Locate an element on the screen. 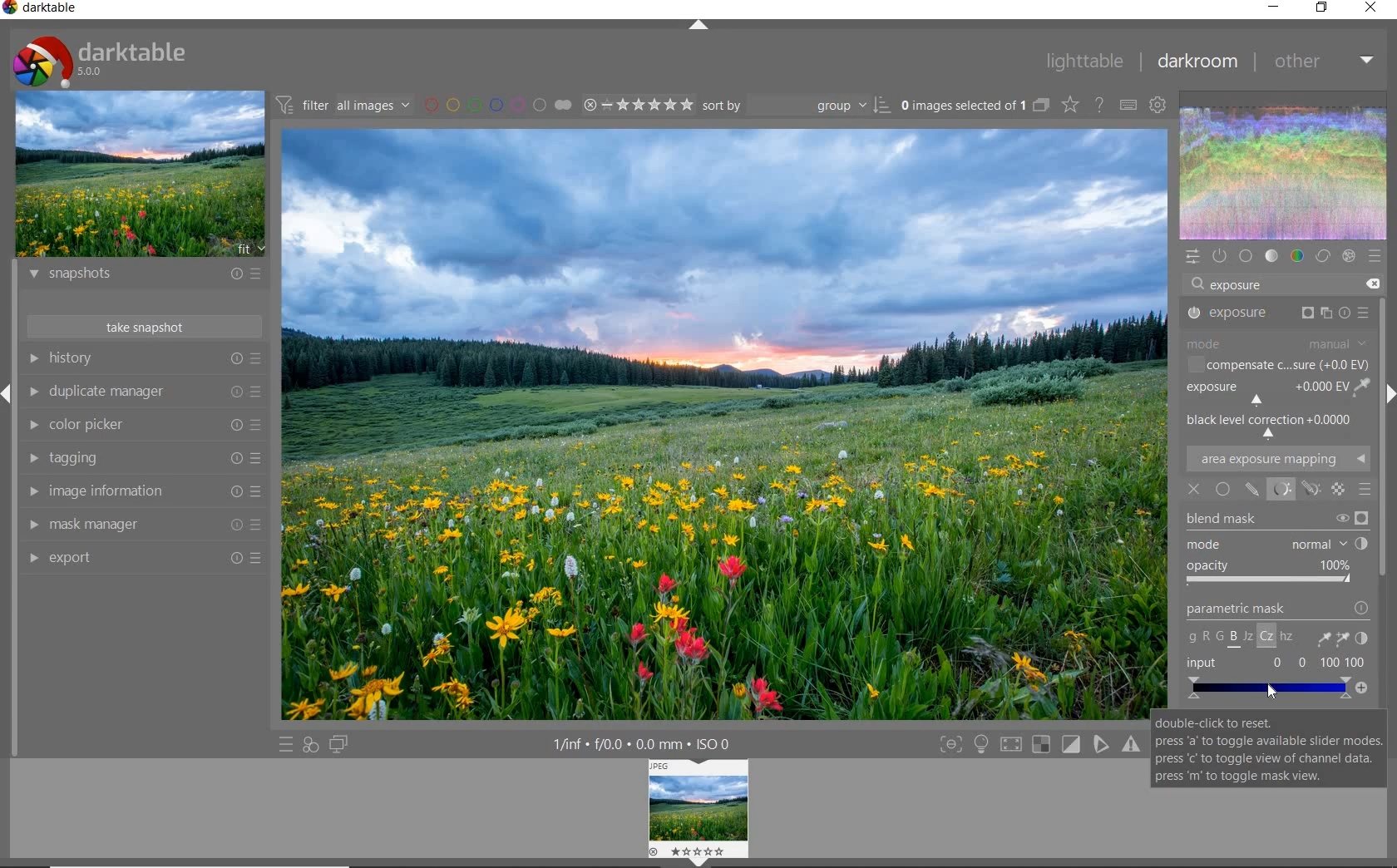 The height and width of the screenshot is (868, 1397). minimize is located at coordinates (1273, 7).